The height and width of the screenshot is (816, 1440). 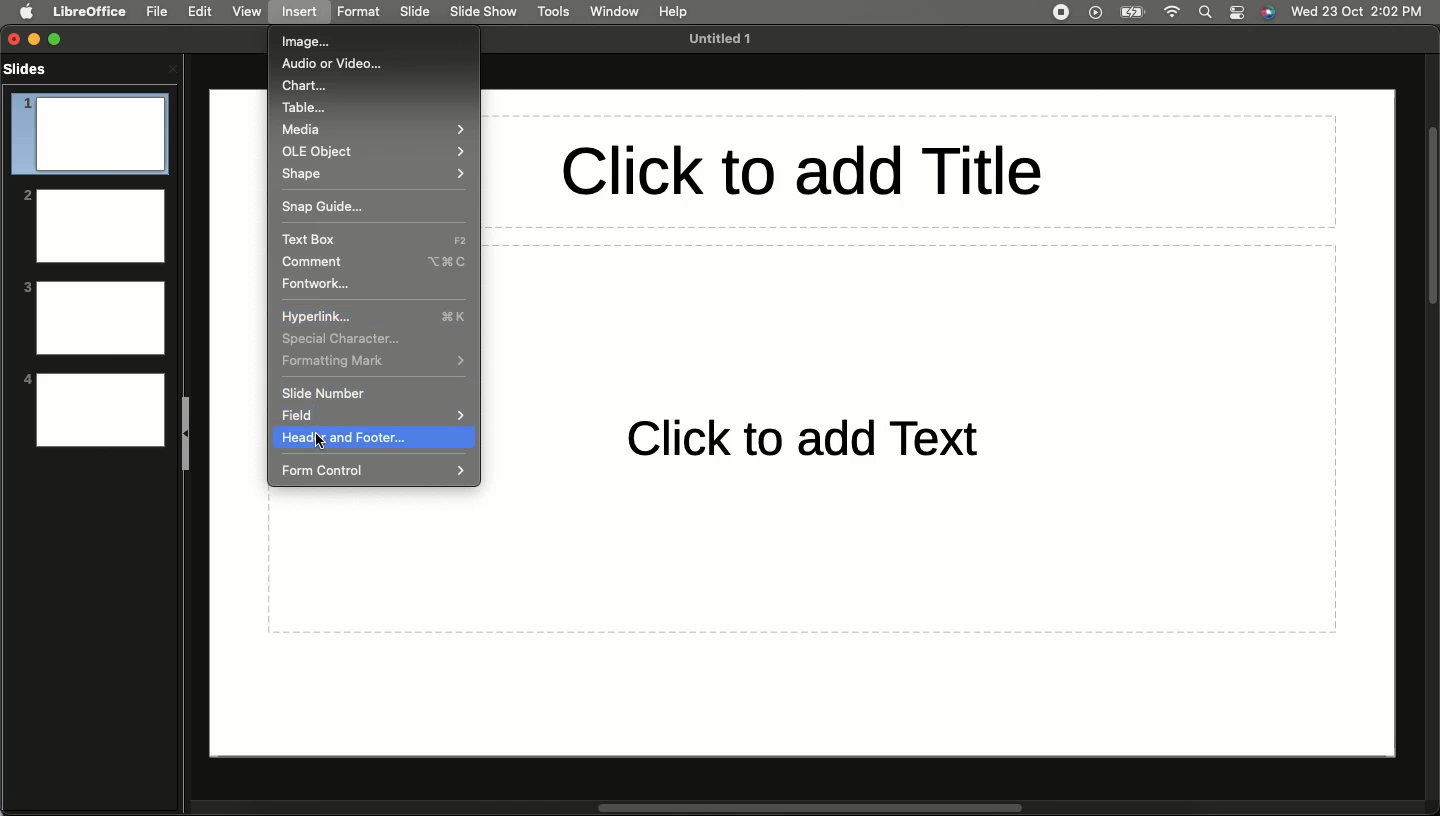 What do you see at coordinates (294, 415) in the screenshot?
I see `Field` at bounding box center [294, 415].